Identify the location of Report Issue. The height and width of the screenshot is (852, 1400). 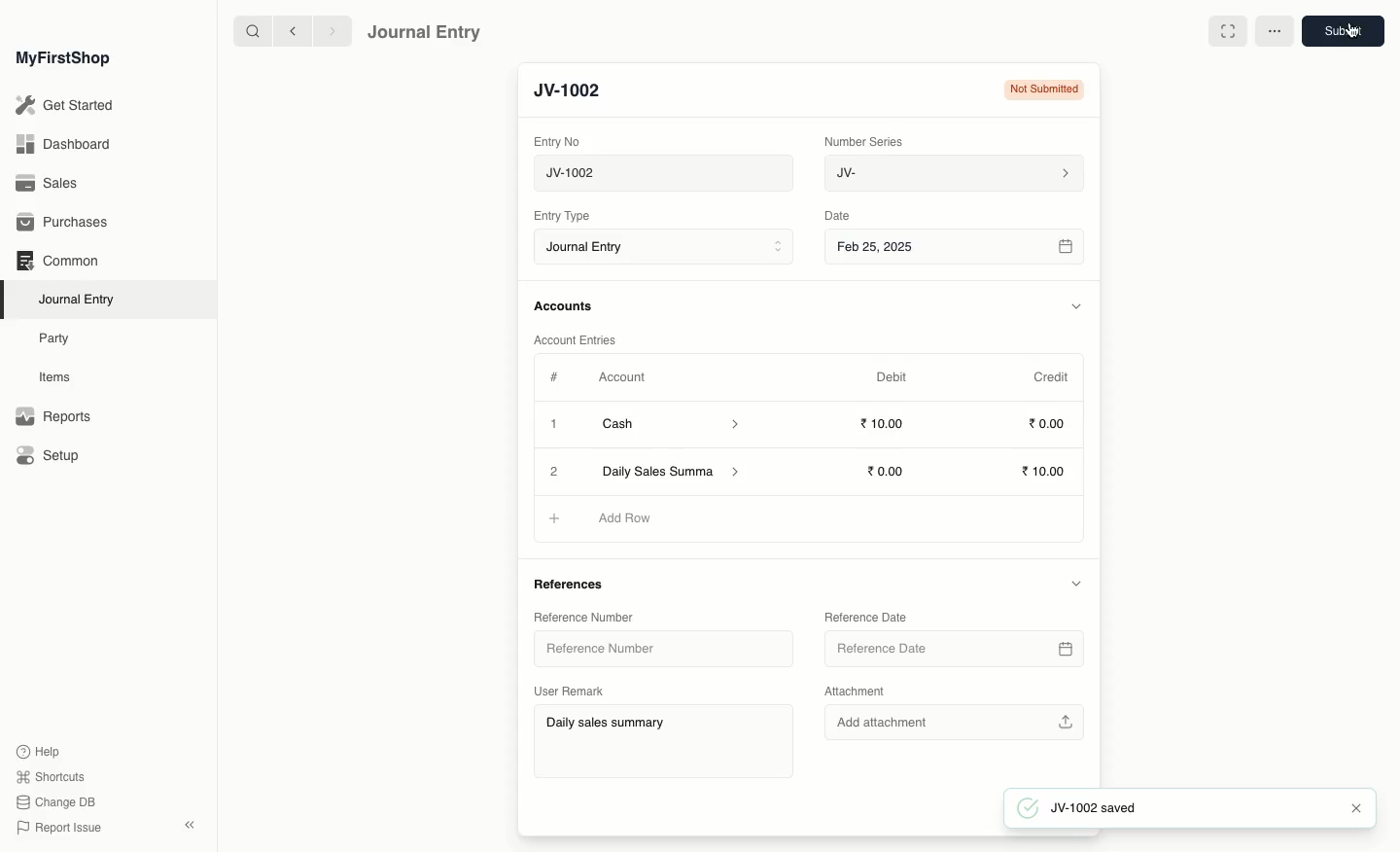
(57, 828).